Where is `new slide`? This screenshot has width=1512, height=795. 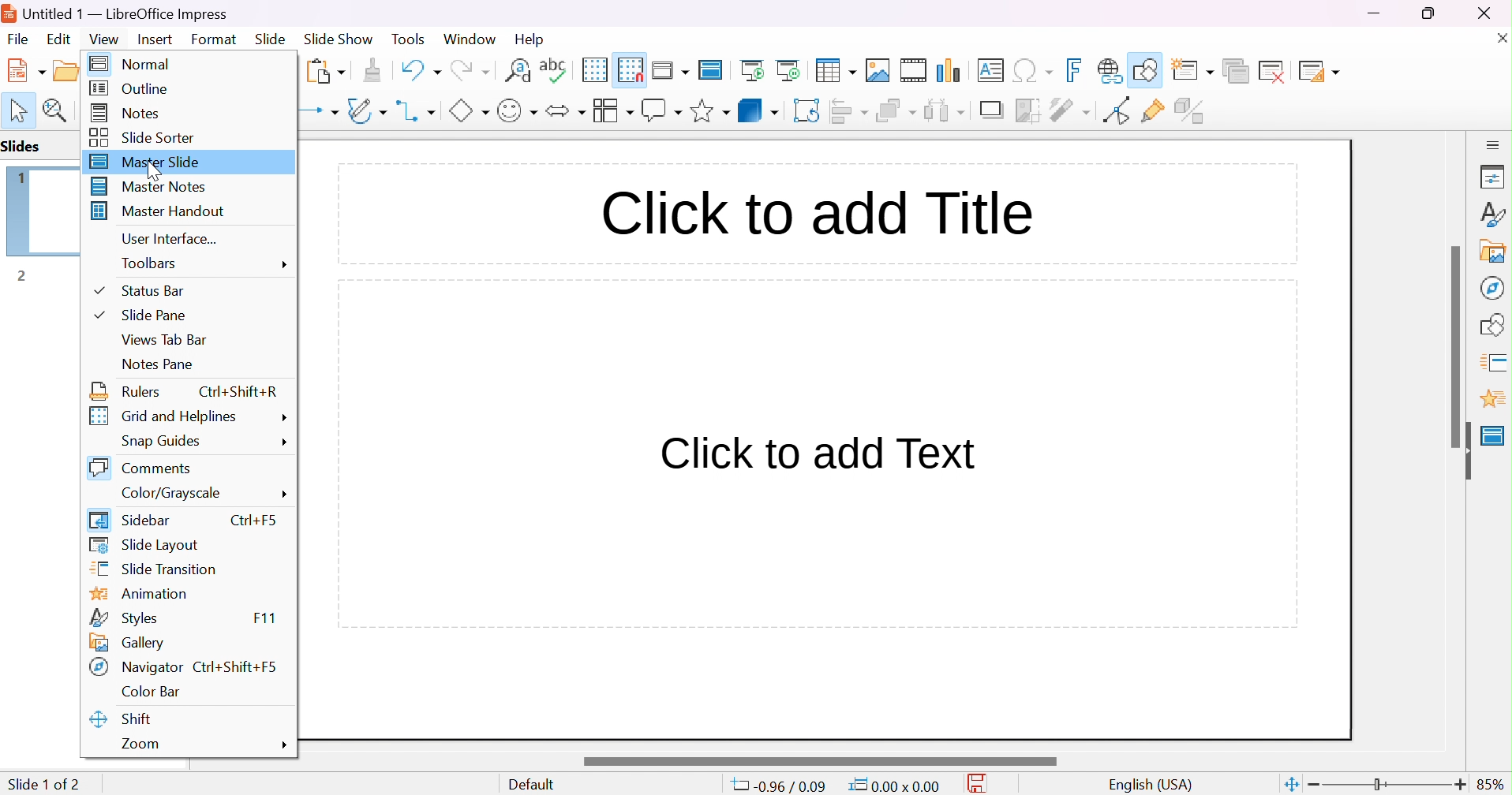 new slide is located at coordinates (1196, 68).